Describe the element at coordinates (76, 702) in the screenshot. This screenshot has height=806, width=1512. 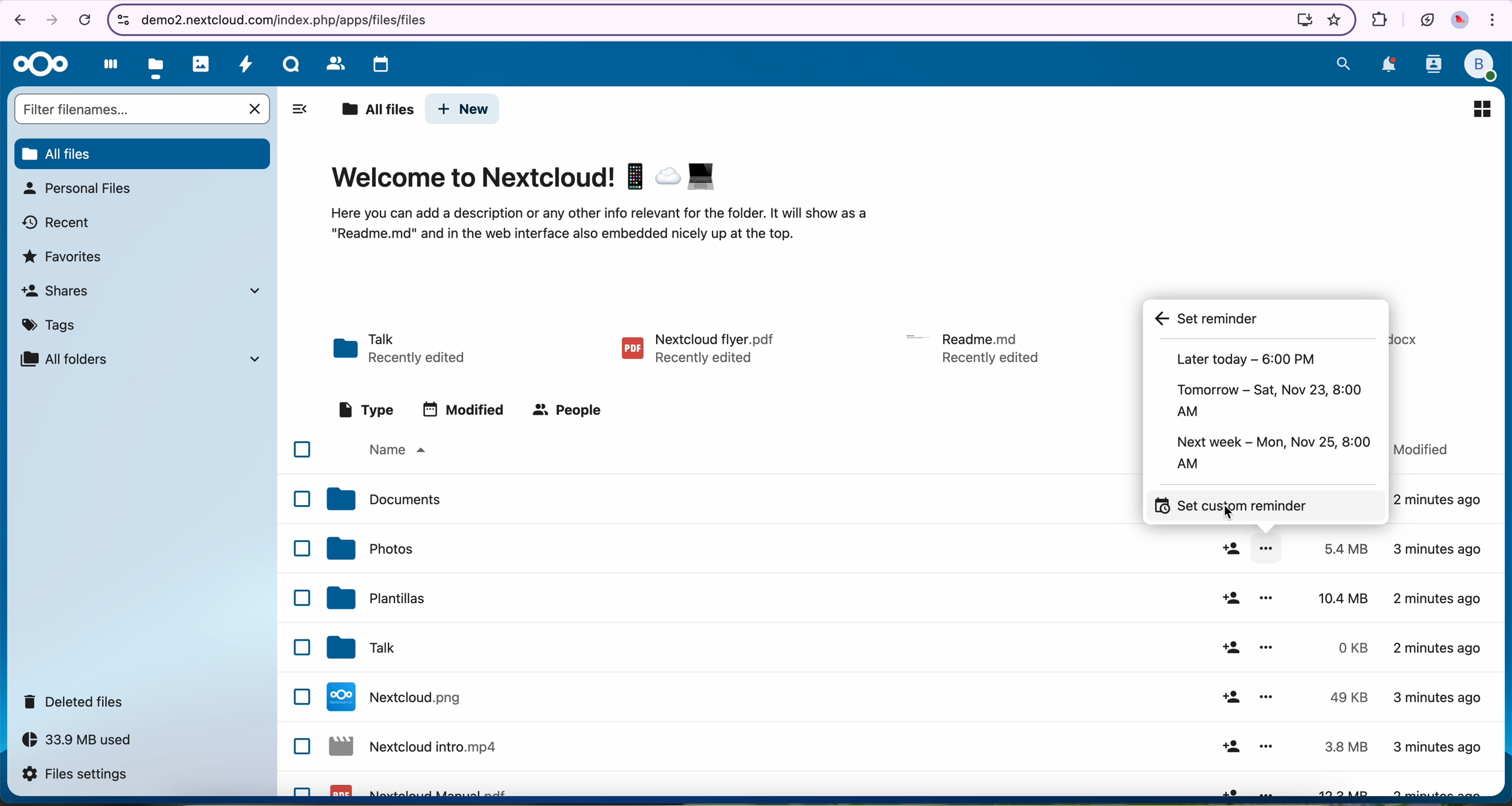
I see `deleted files` at that location.